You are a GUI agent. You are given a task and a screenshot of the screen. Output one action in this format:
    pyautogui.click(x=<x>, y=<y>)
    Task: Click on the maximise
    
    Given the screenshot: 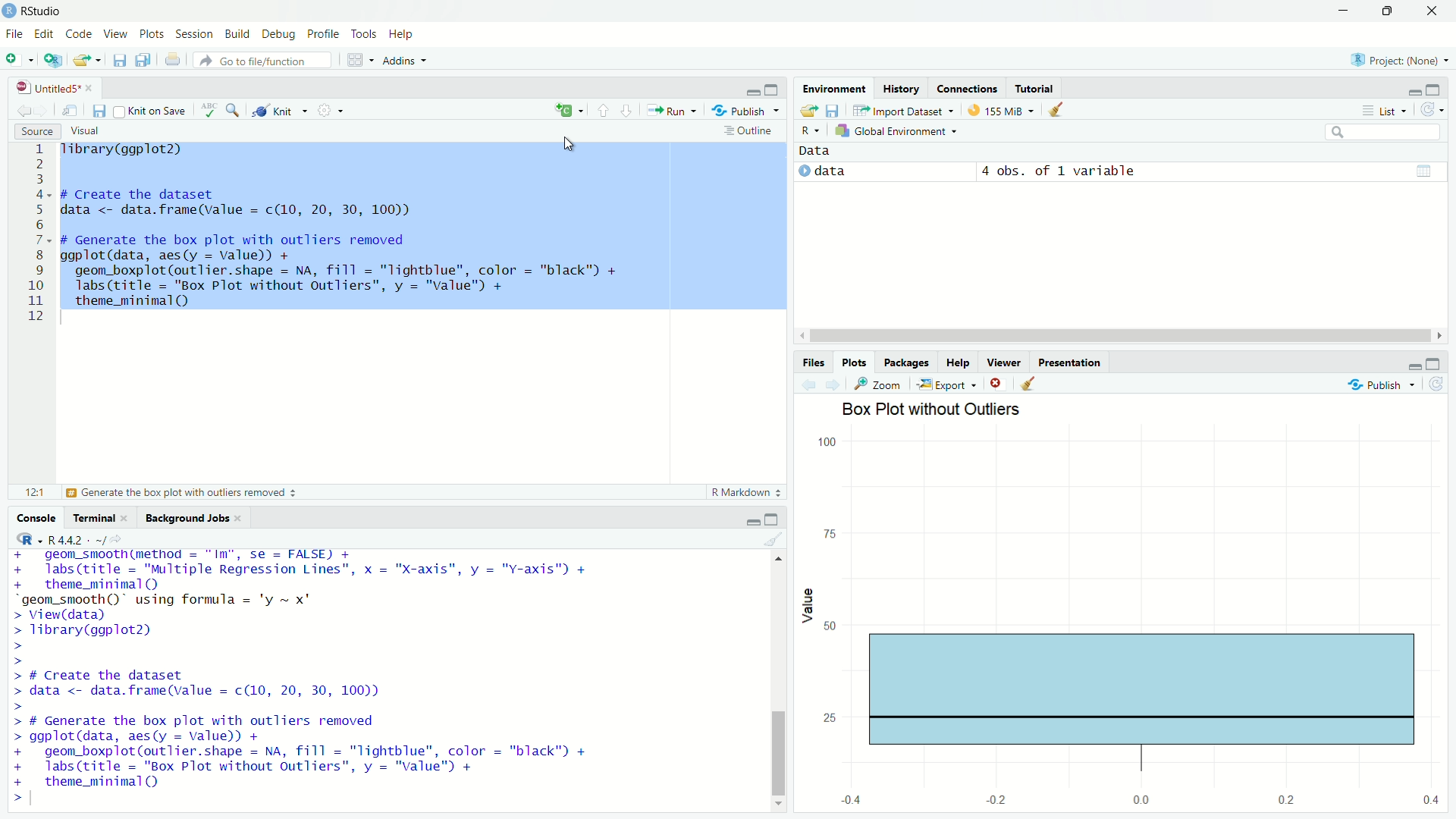 What is the action you would take?
    pyautogui.click(x=777, y=516)
    